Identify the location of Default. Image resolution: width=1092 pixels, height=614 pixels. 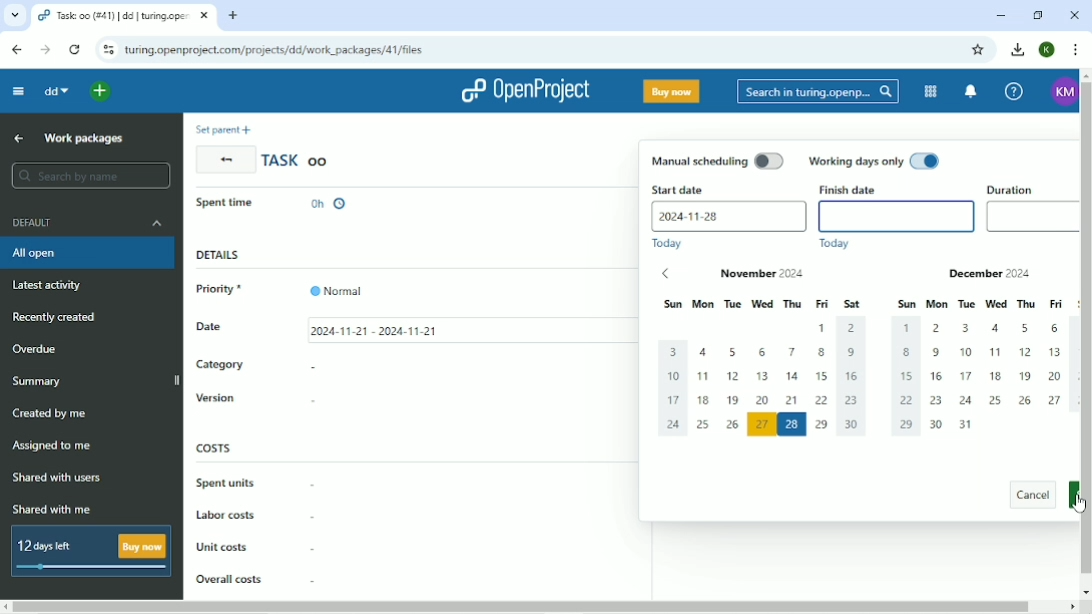
(87, 223).